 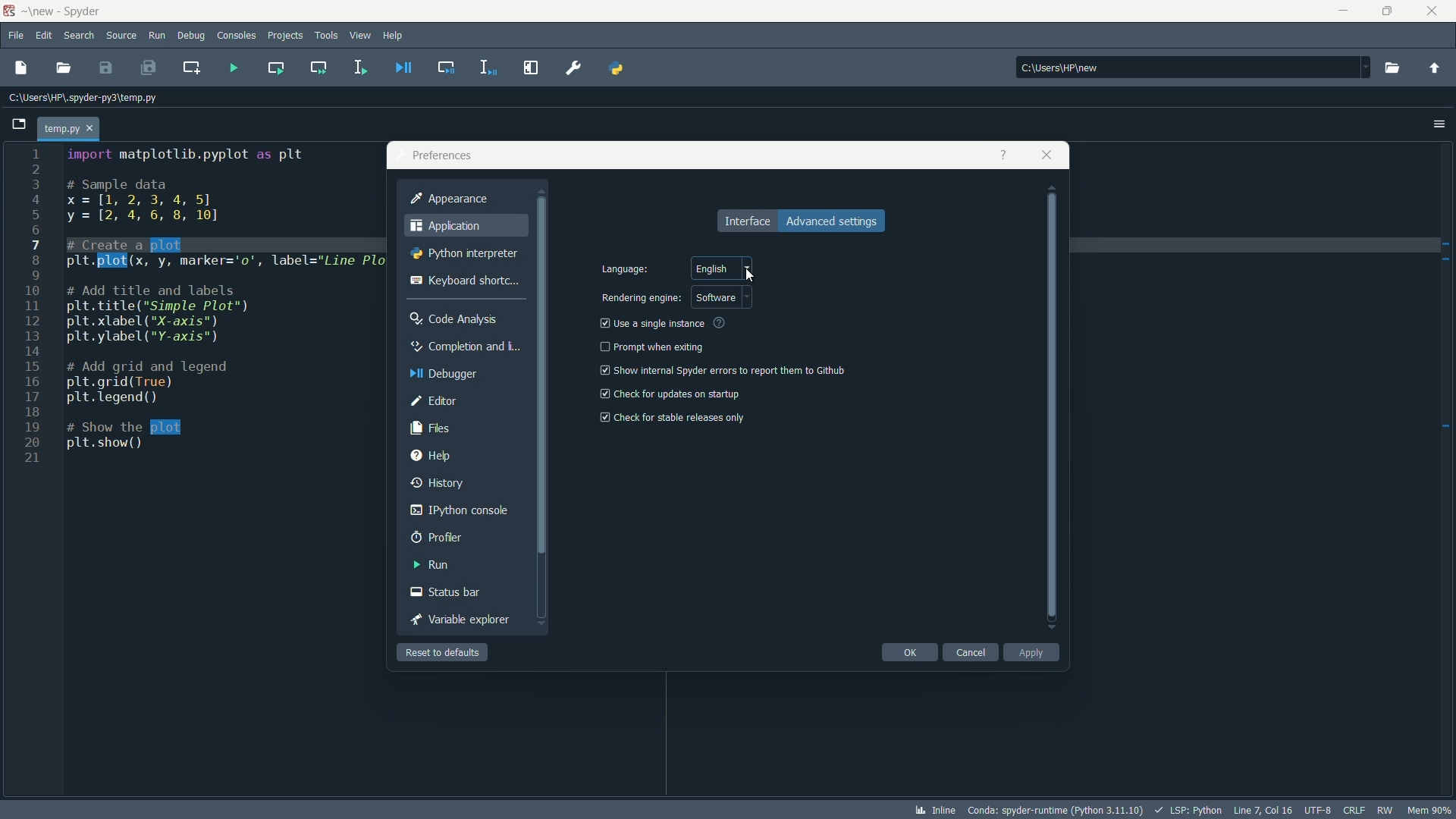 What do you see at coordinates (149, 68) in the screenshot?
I see `save all files` at bounding box center [149, 68].